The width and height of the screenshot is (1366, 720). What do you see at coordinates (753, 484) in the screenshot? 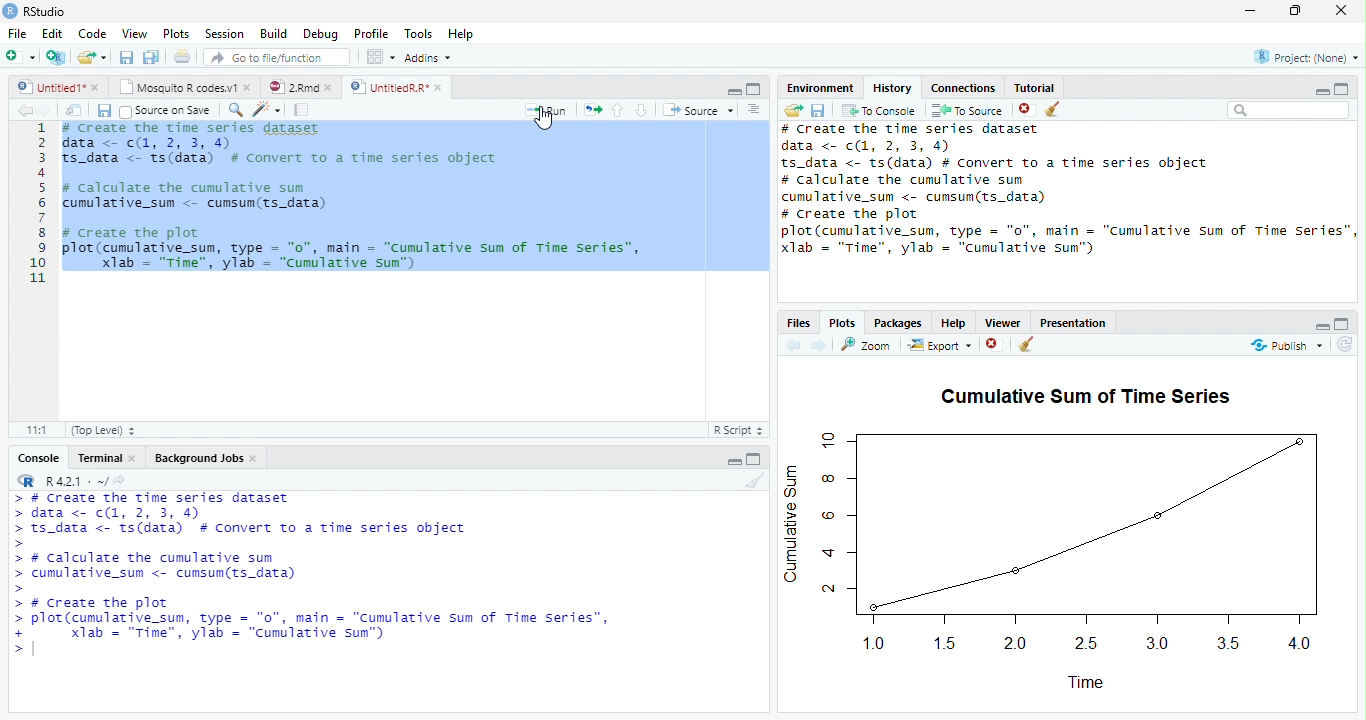
I see `Clear Console` at bounding box center [753, 484].